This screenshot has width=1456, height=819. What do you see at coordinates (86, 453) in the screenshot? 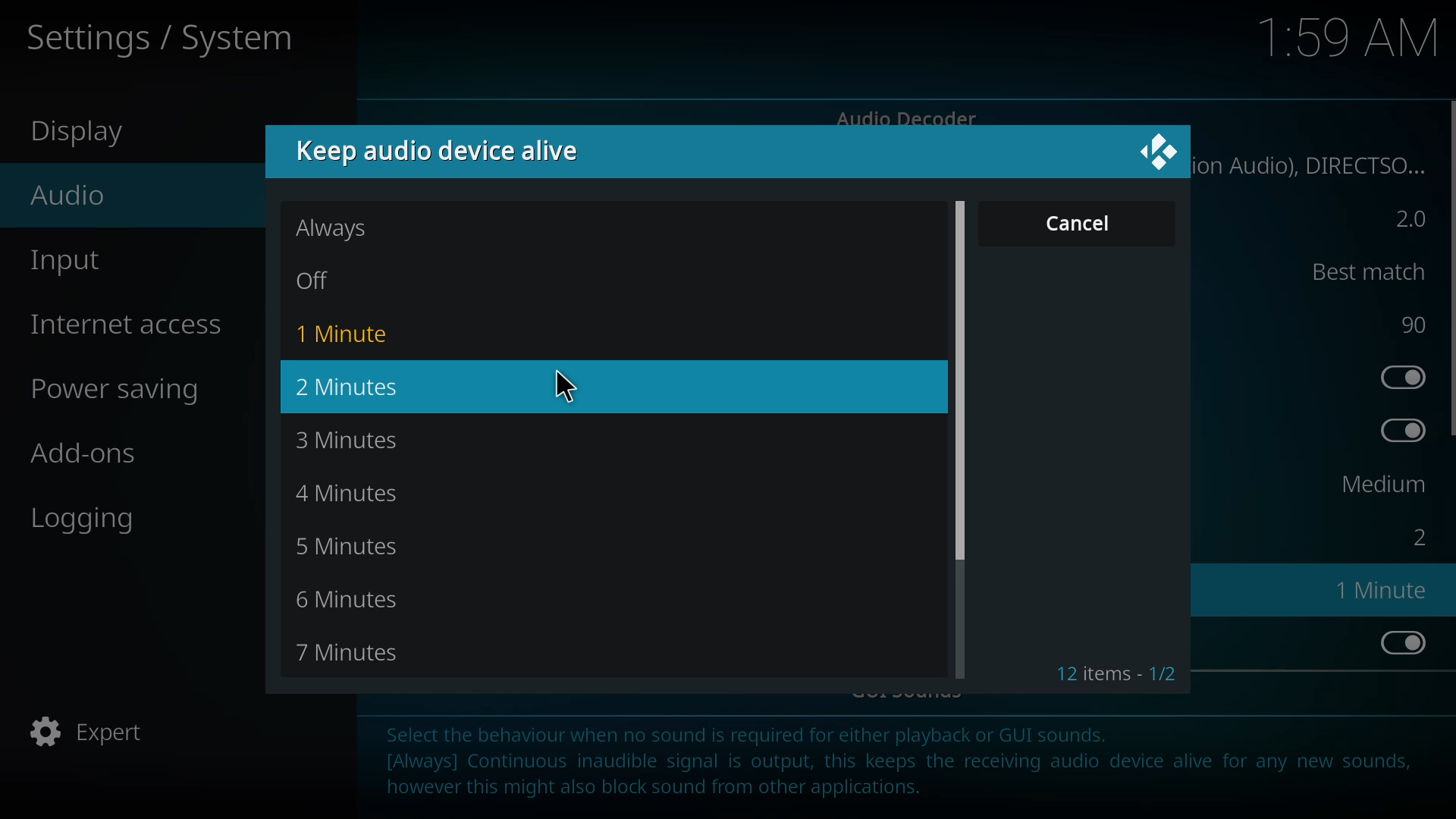
I see `add-ons` at bounding box center [86, 453].